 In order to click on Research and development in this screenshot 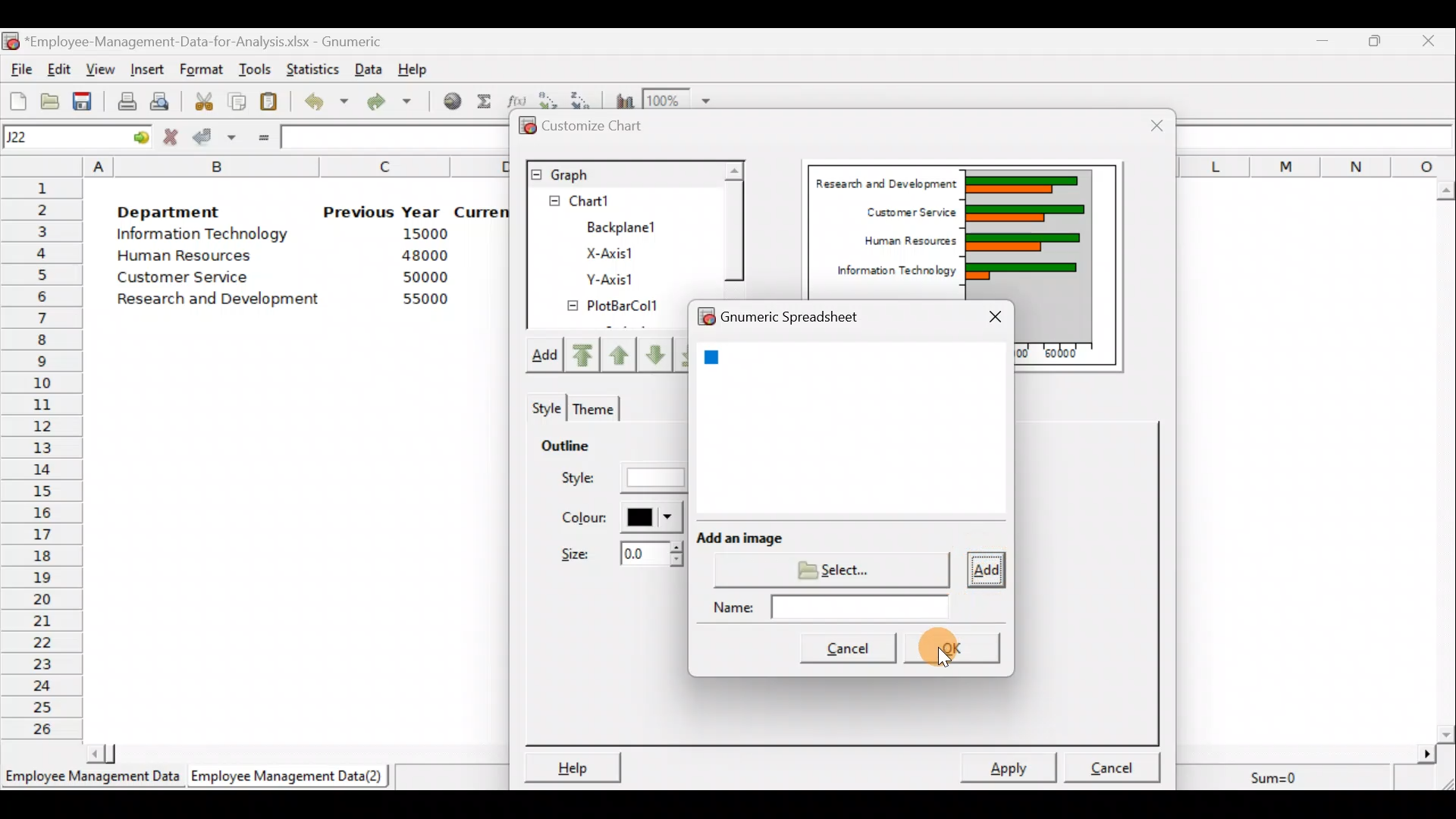, I will do `click(219, 297)`.